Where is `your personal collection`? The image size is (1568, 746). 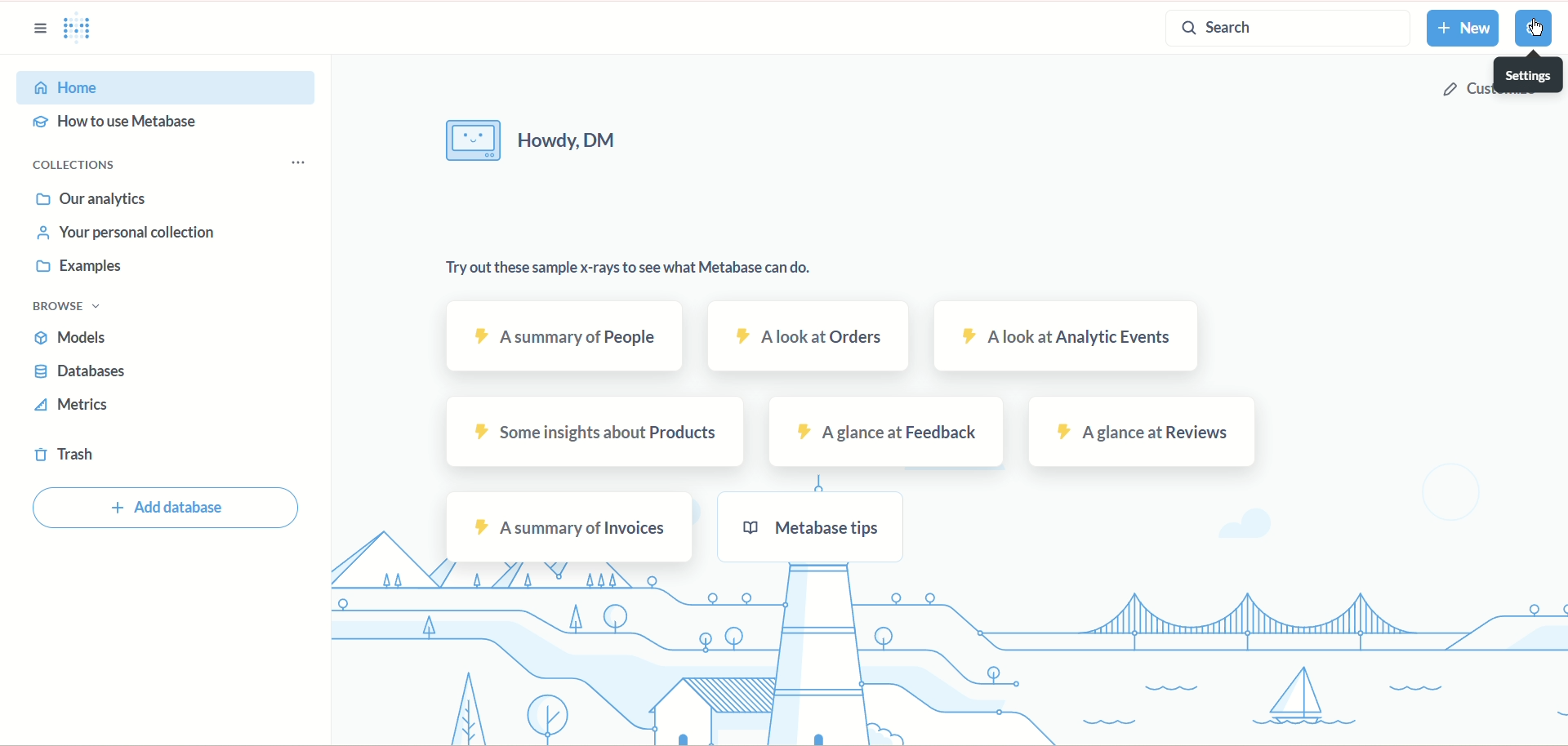 your personal collection is located at coordinates (127, 233).